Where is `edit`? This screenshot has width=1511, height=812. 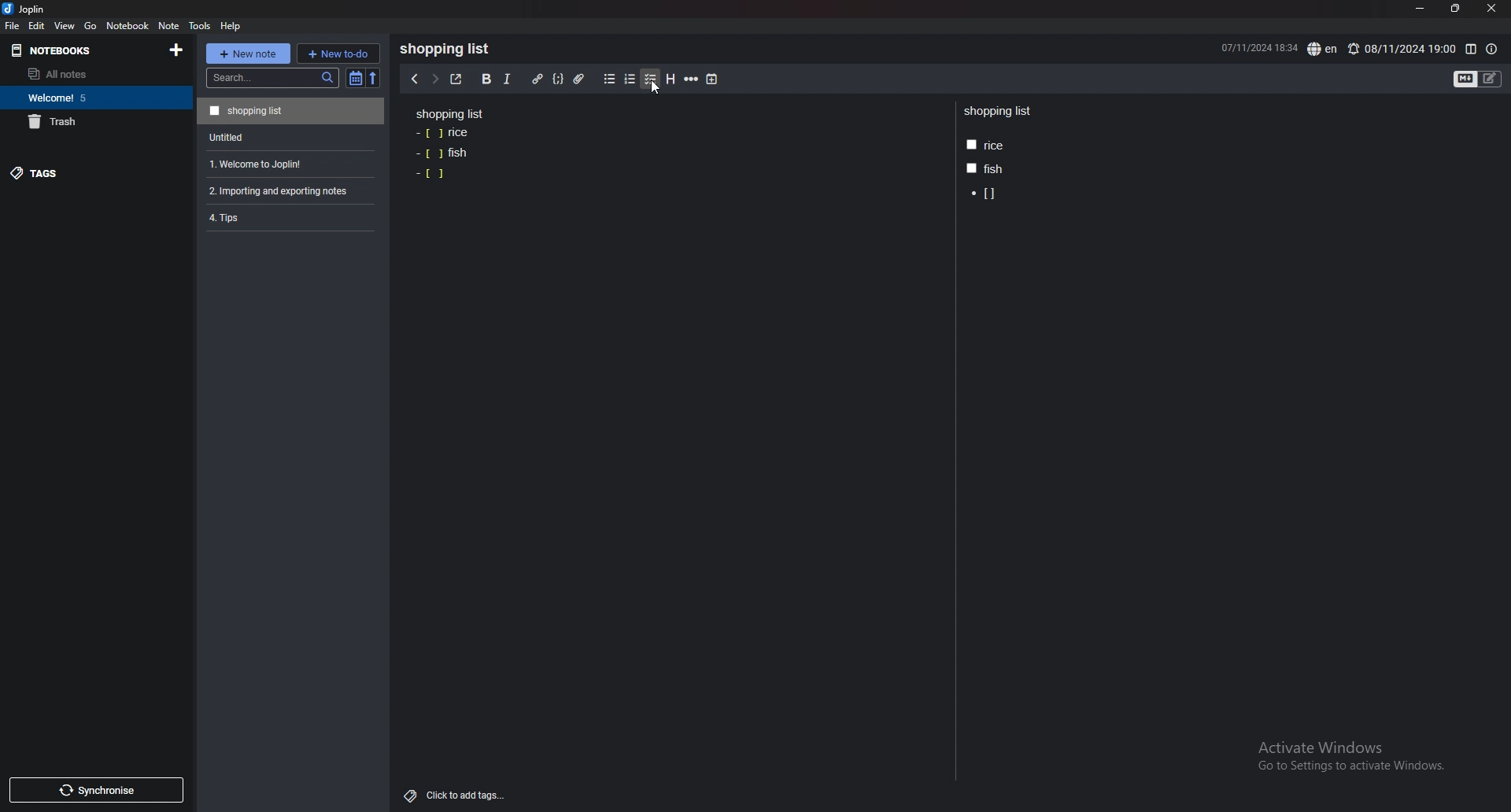
edit is located at coordinates (37, 25).